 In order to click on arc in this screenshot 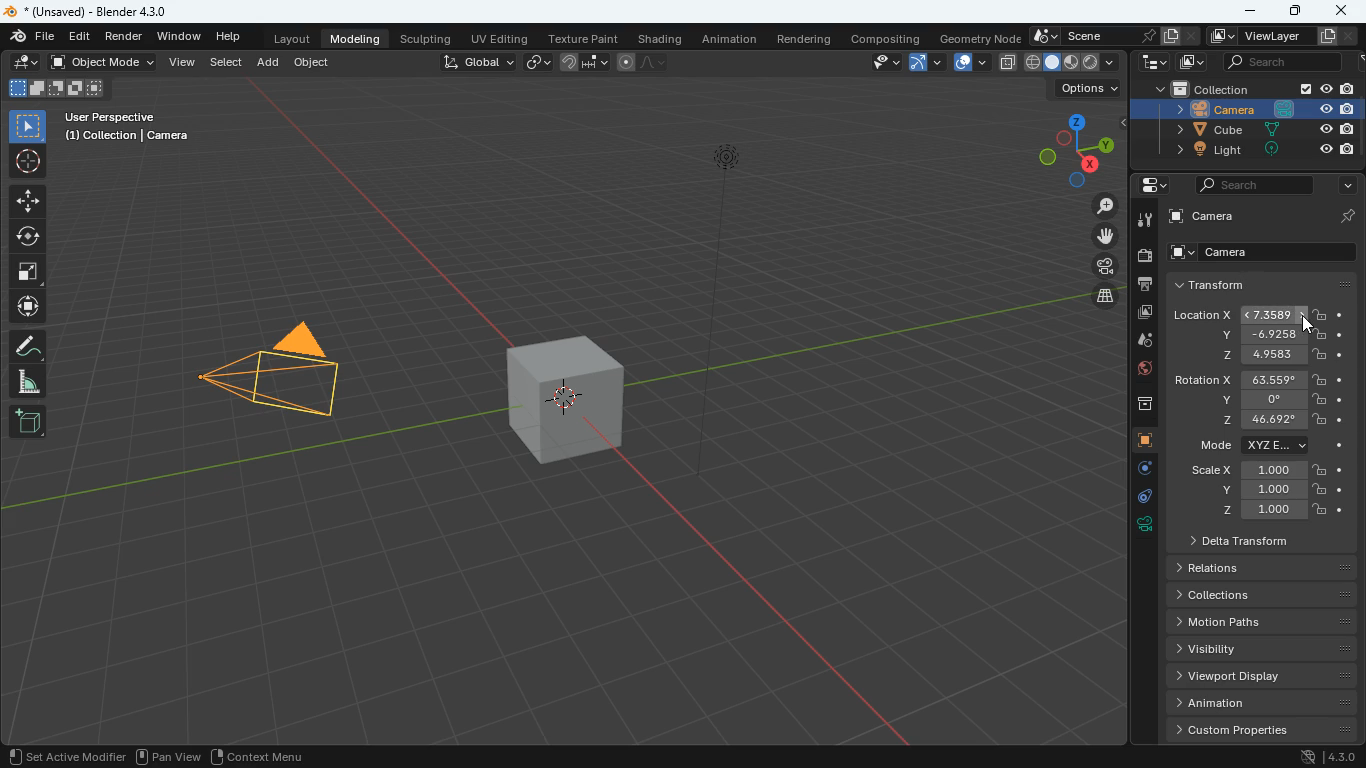, I will do `click(925, 64)`.